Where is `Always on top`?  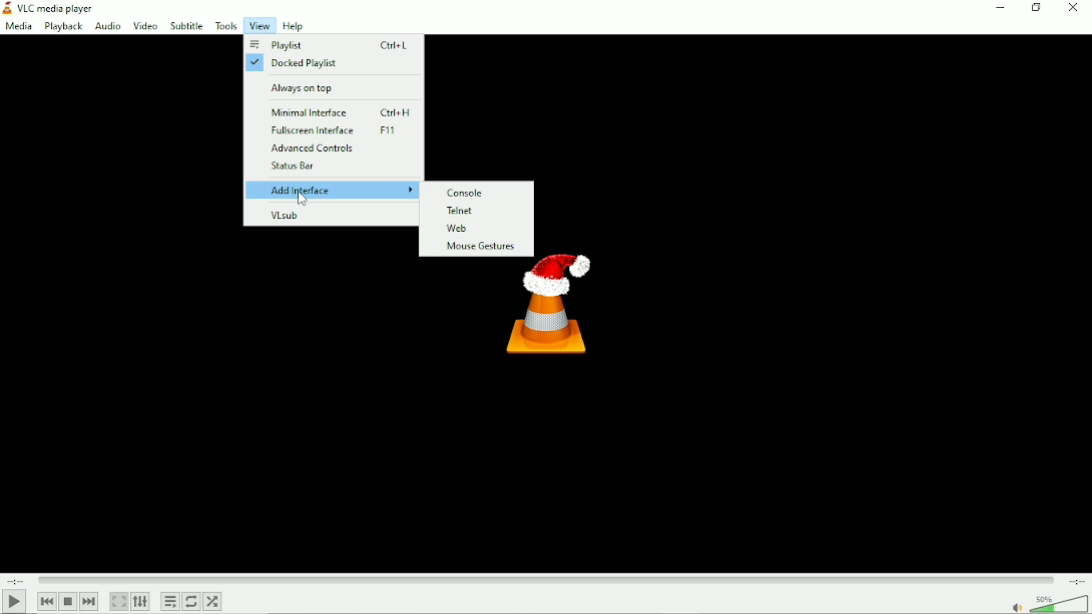 Always on top is located at coordinates (332, 87).